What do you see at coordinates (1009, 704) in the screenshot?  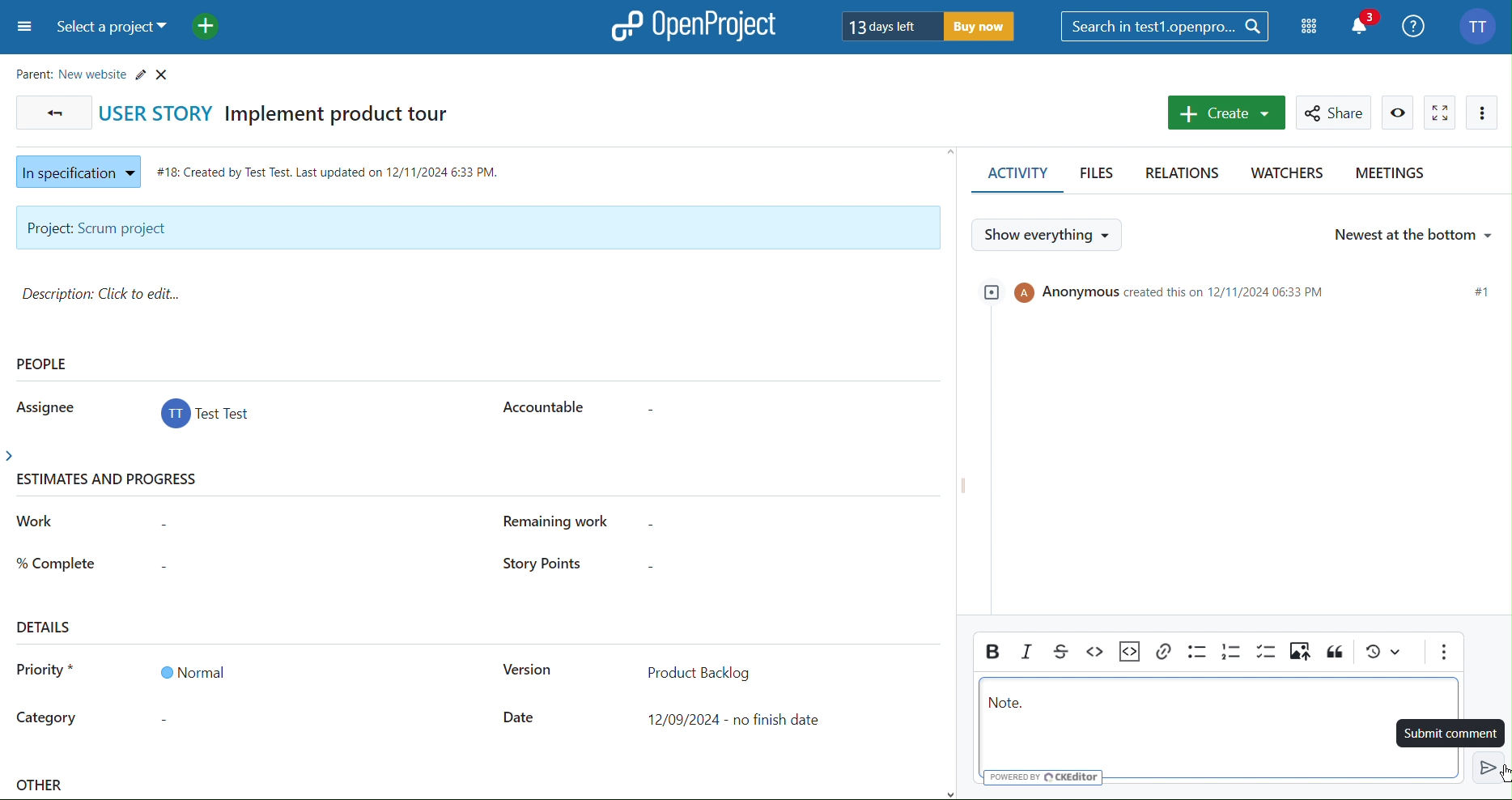 I see `Note` at bounding box center [1009, 704].